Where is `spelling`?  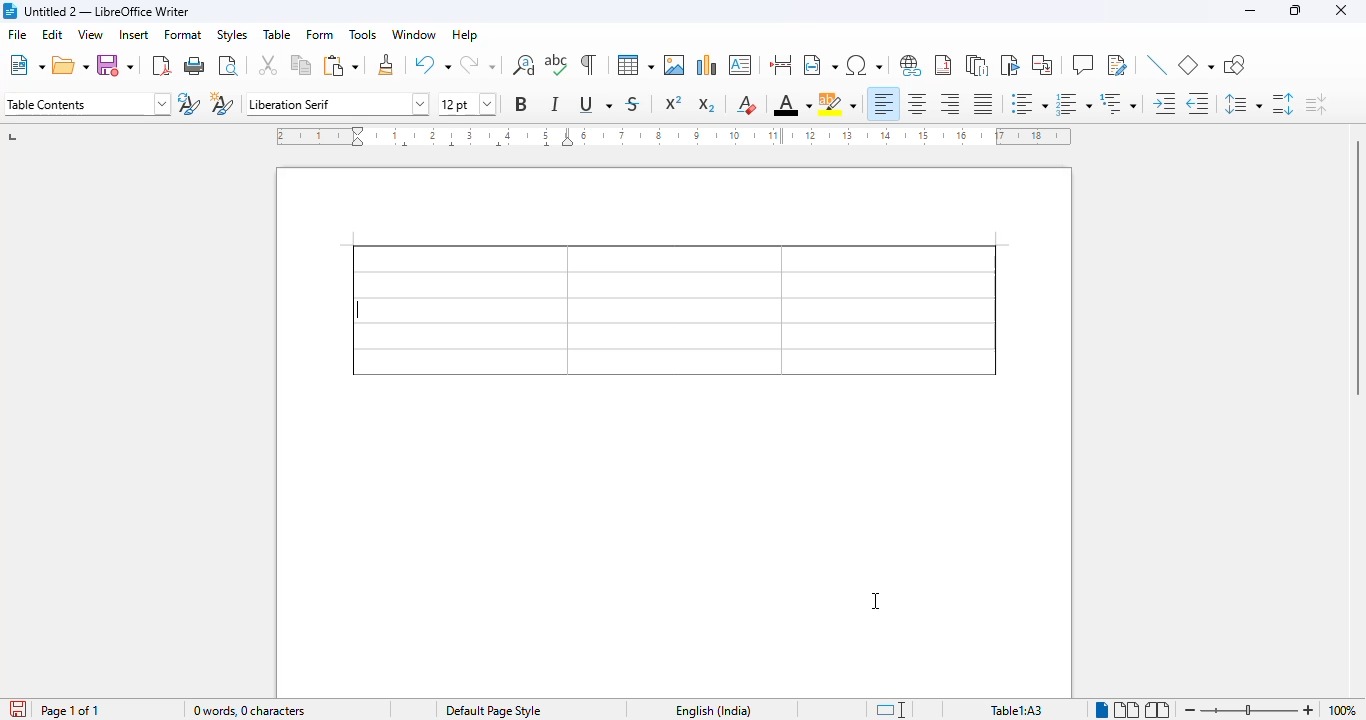 spelling is located at coordinates (558, 65).